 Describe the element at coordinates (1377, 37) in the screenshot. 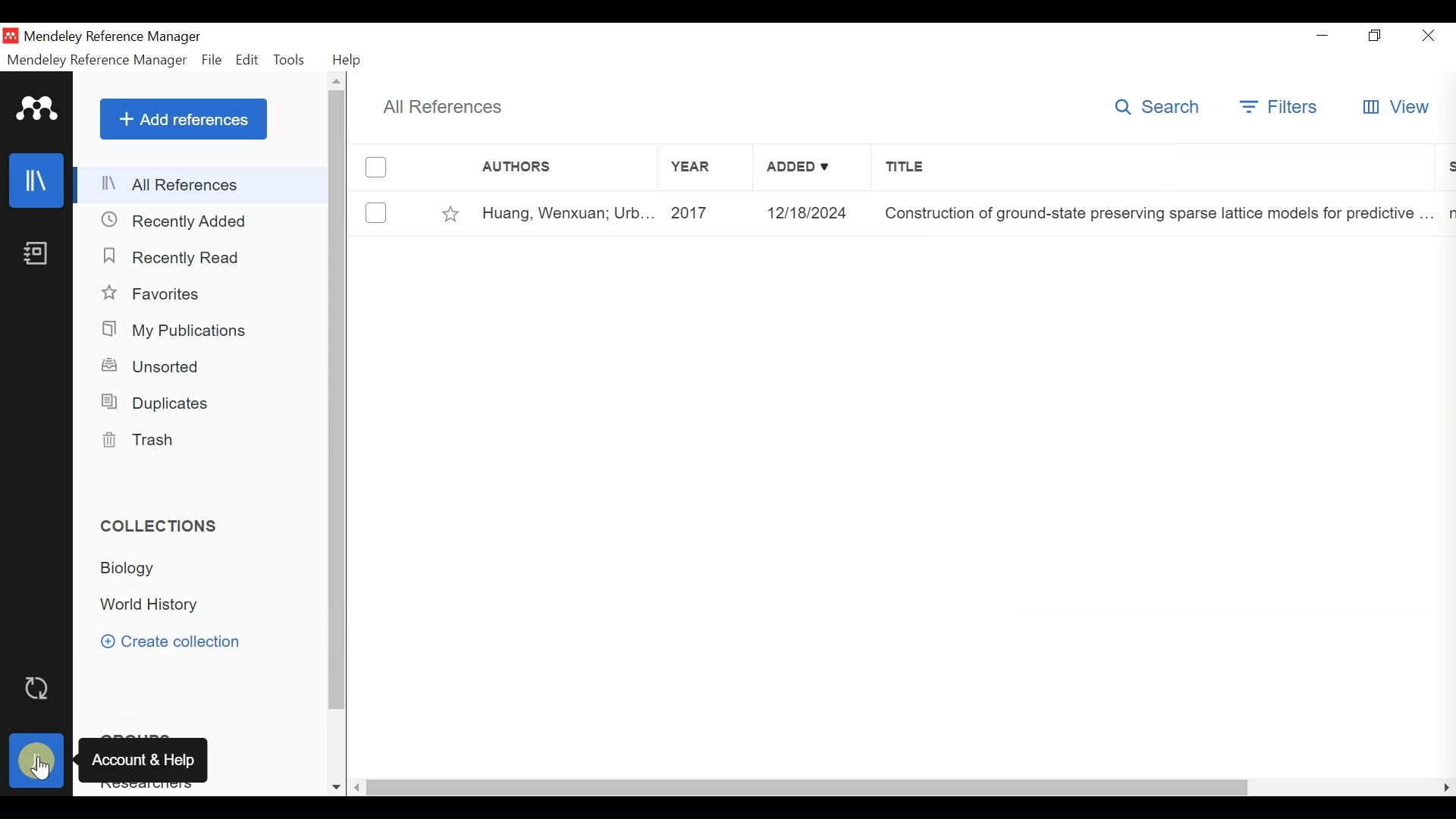

I see `Maximize` at that location.